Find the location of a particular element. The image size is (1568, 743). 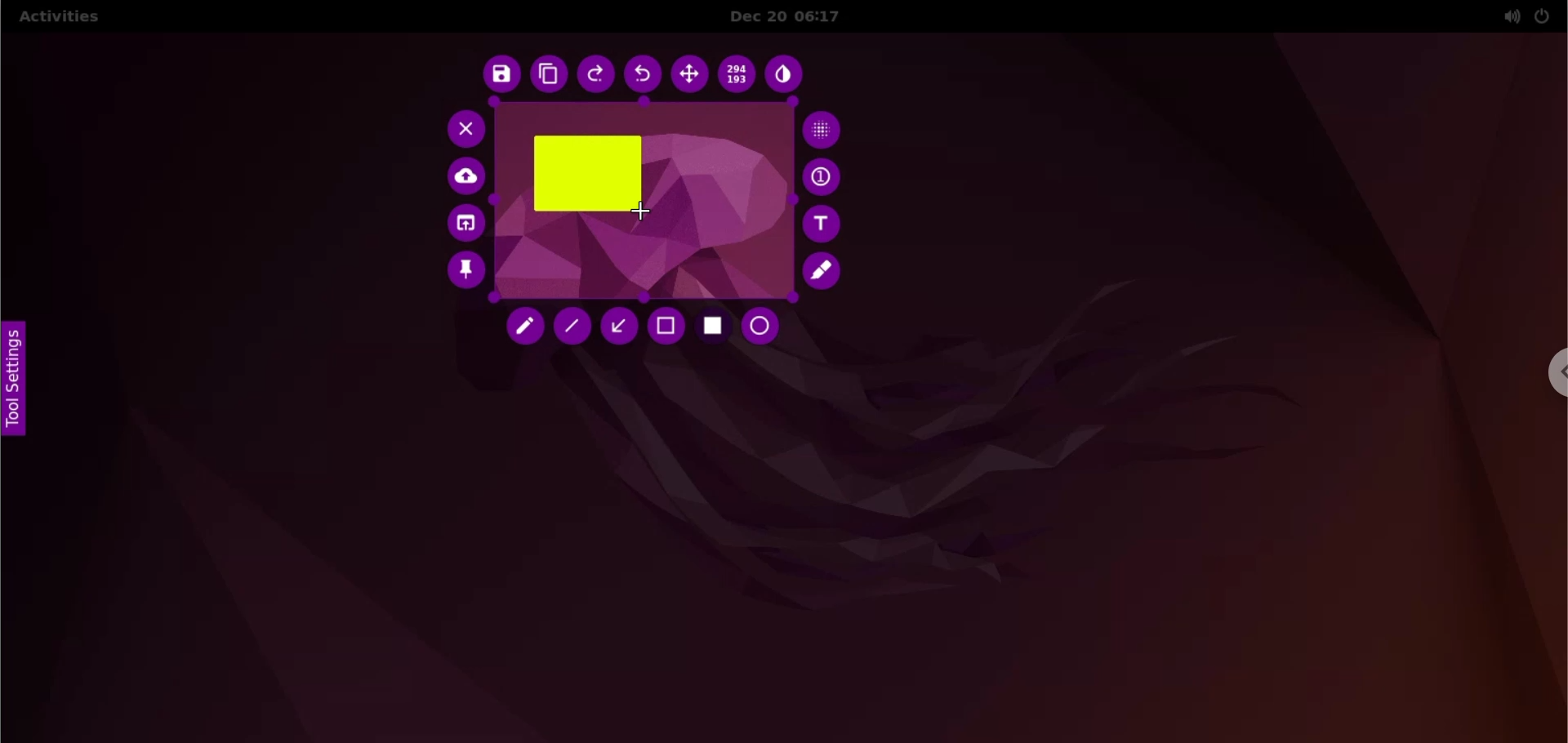

add text is located at coordinates (824, 224).